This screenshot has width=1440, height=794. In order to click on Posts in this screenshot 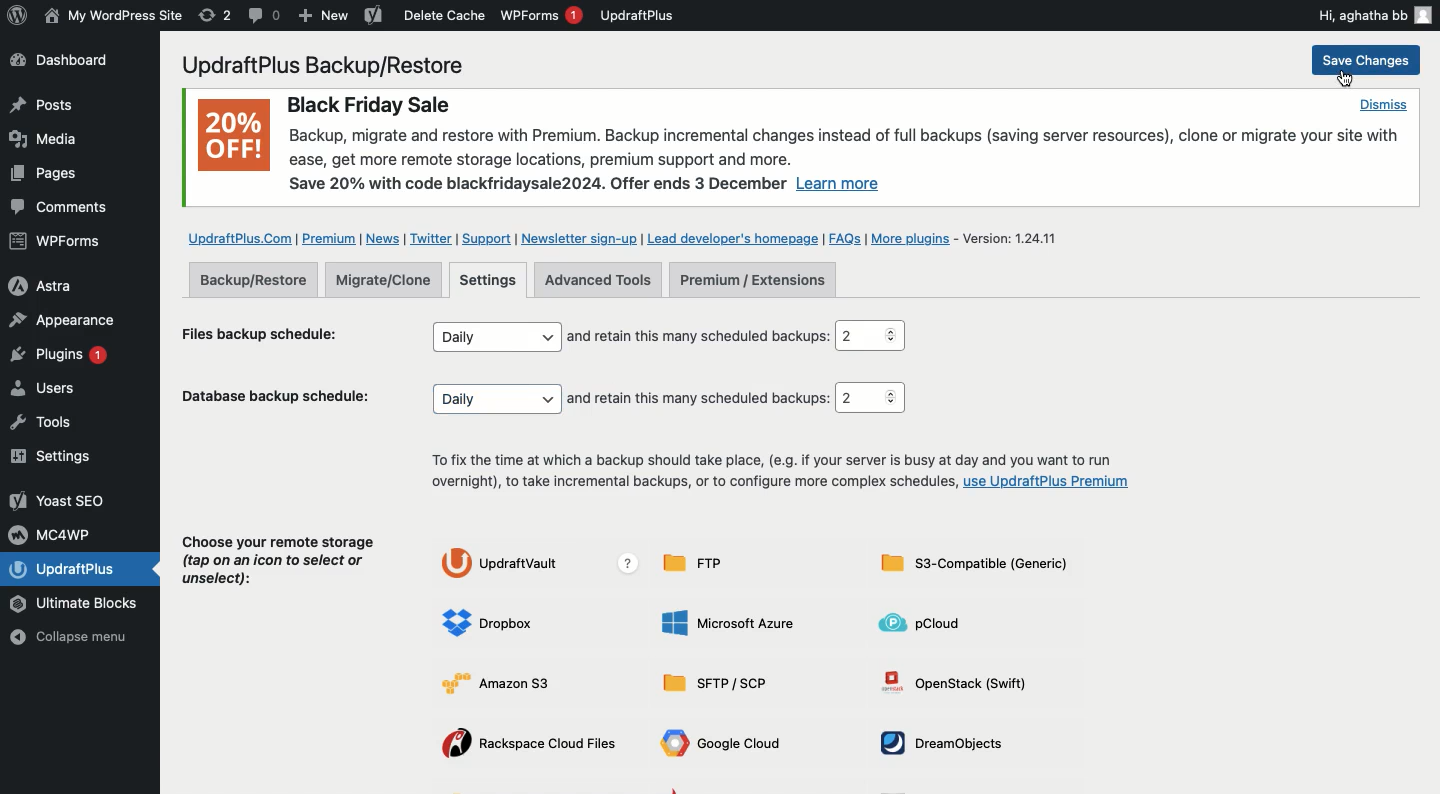, I will do `click(40, 105)`.